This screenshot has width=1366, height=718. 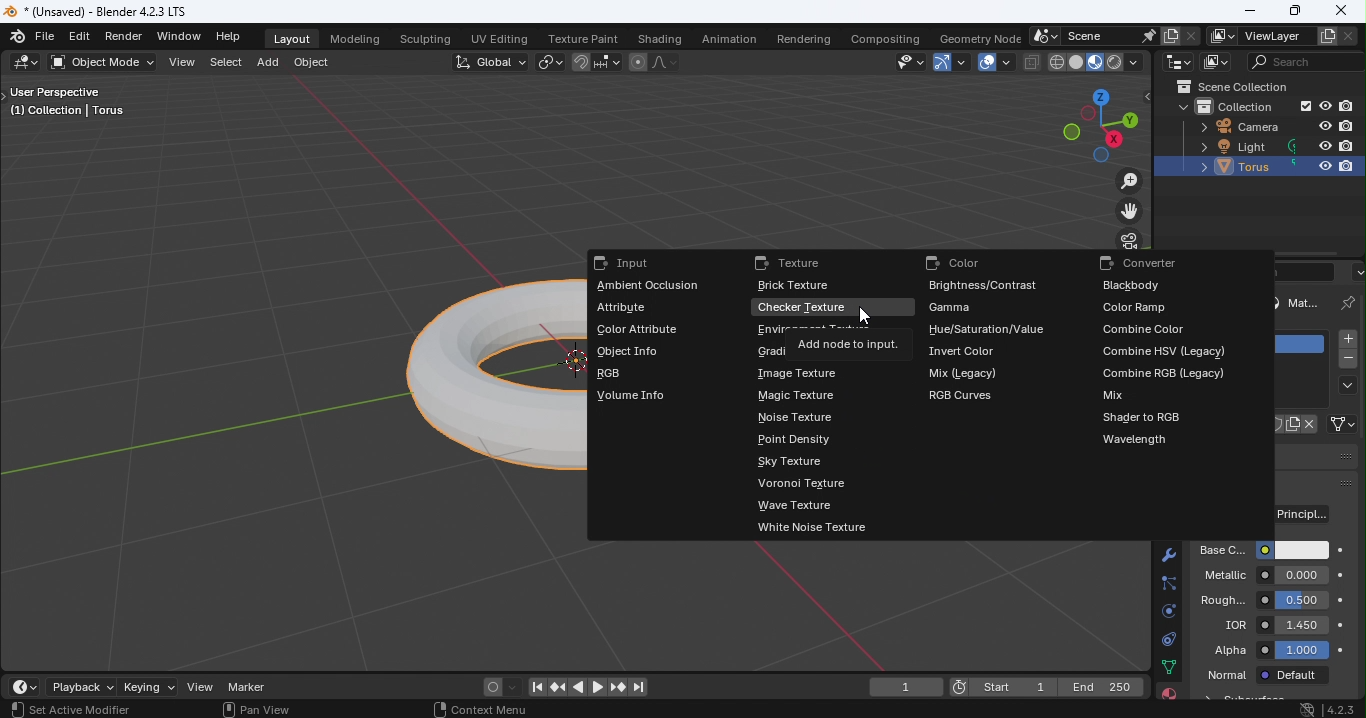 What do you see at coordinates (579, 61) in the screenshot?
I see `Snap` at bounding box center [579, 61].